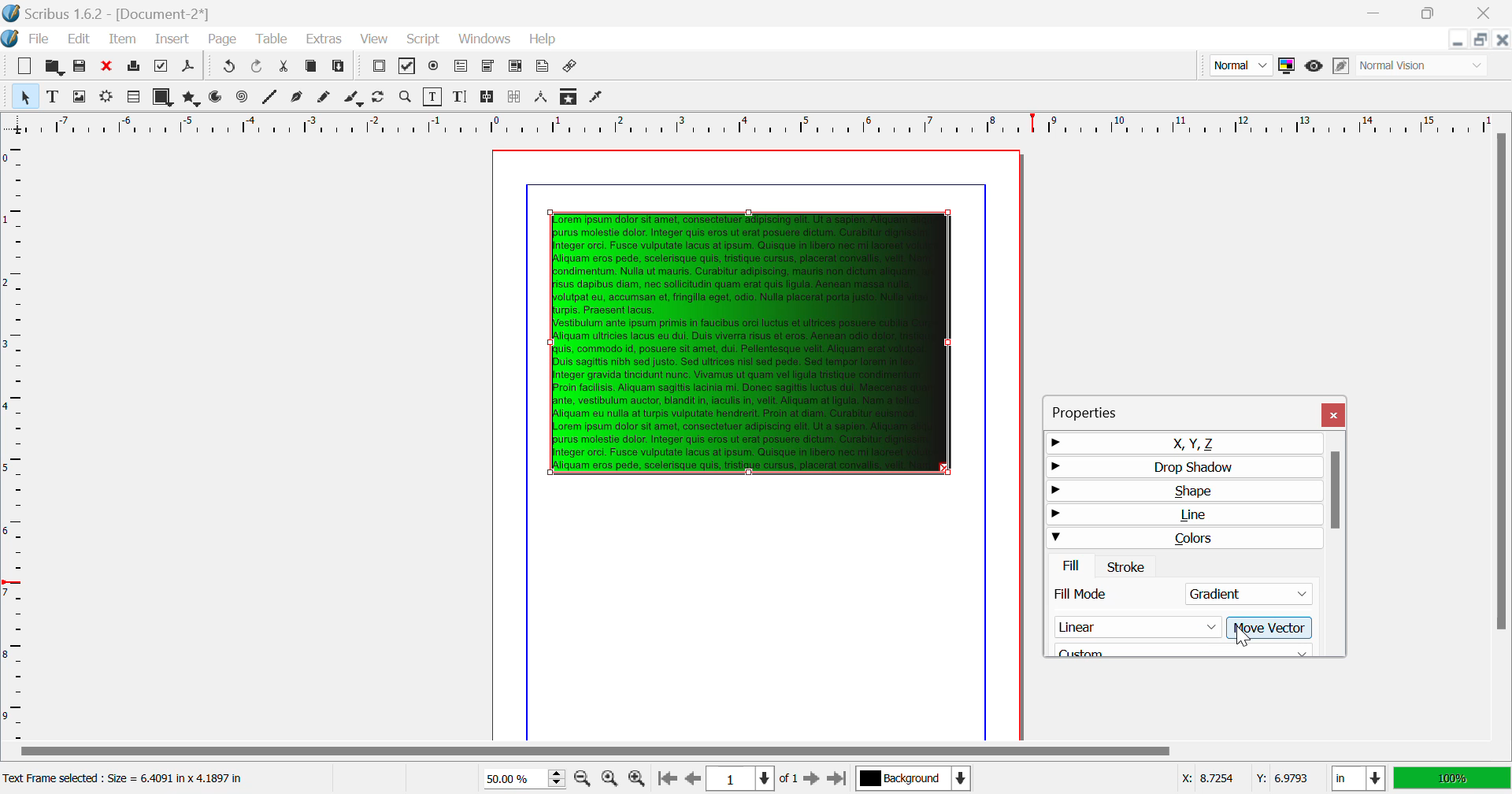  Describe the element at coordinates (127, 779) in the screenshot. I see `Text Frame selected: Size = 6.4091 in x 4.1897 in` at that location.